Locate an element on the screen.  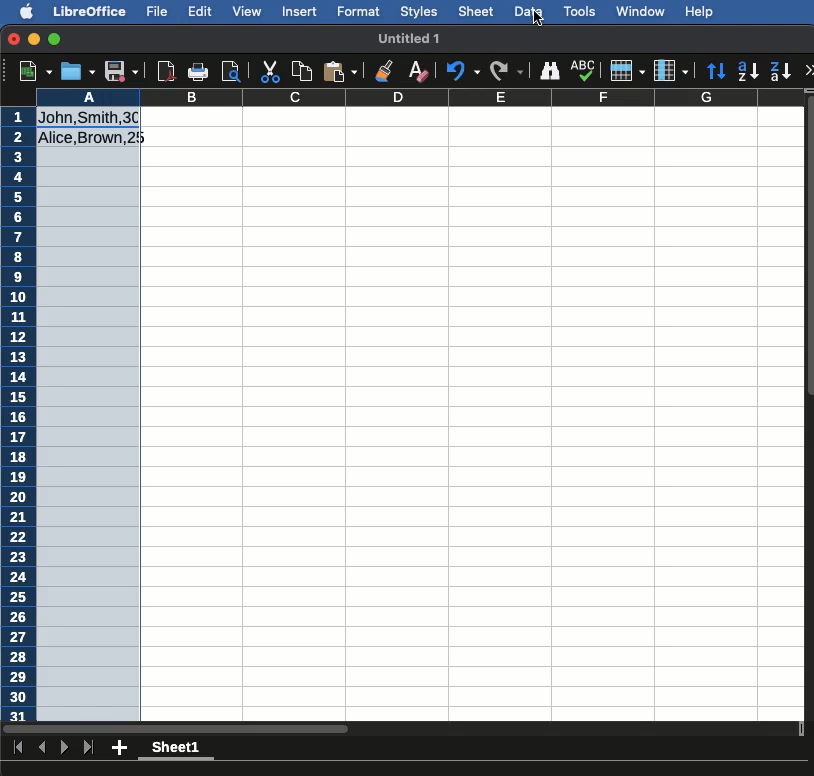
First sheet is located at coordinates (20, 747).